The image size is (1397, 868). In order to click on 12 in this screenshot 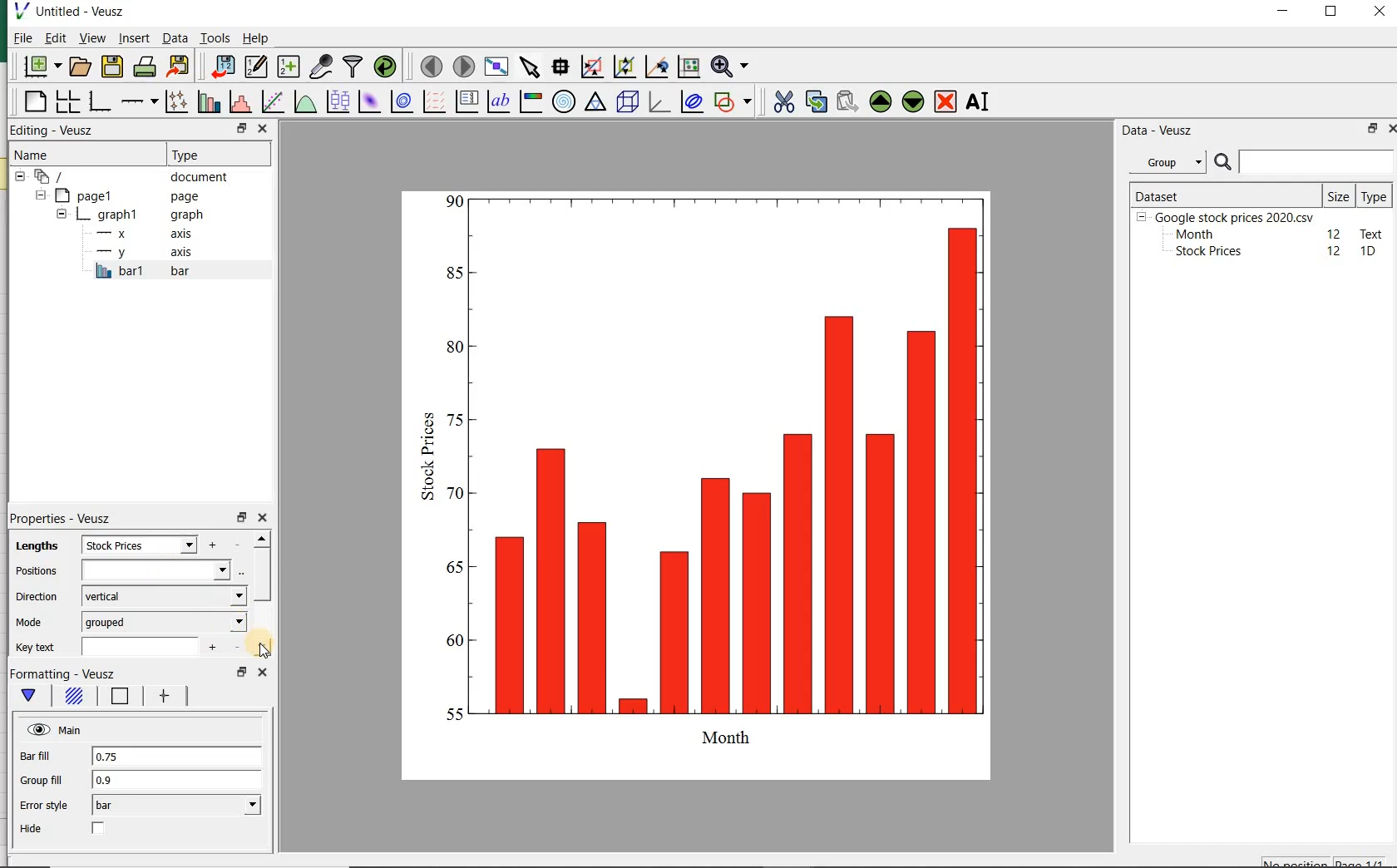, I will do `click(1335, 251)`.